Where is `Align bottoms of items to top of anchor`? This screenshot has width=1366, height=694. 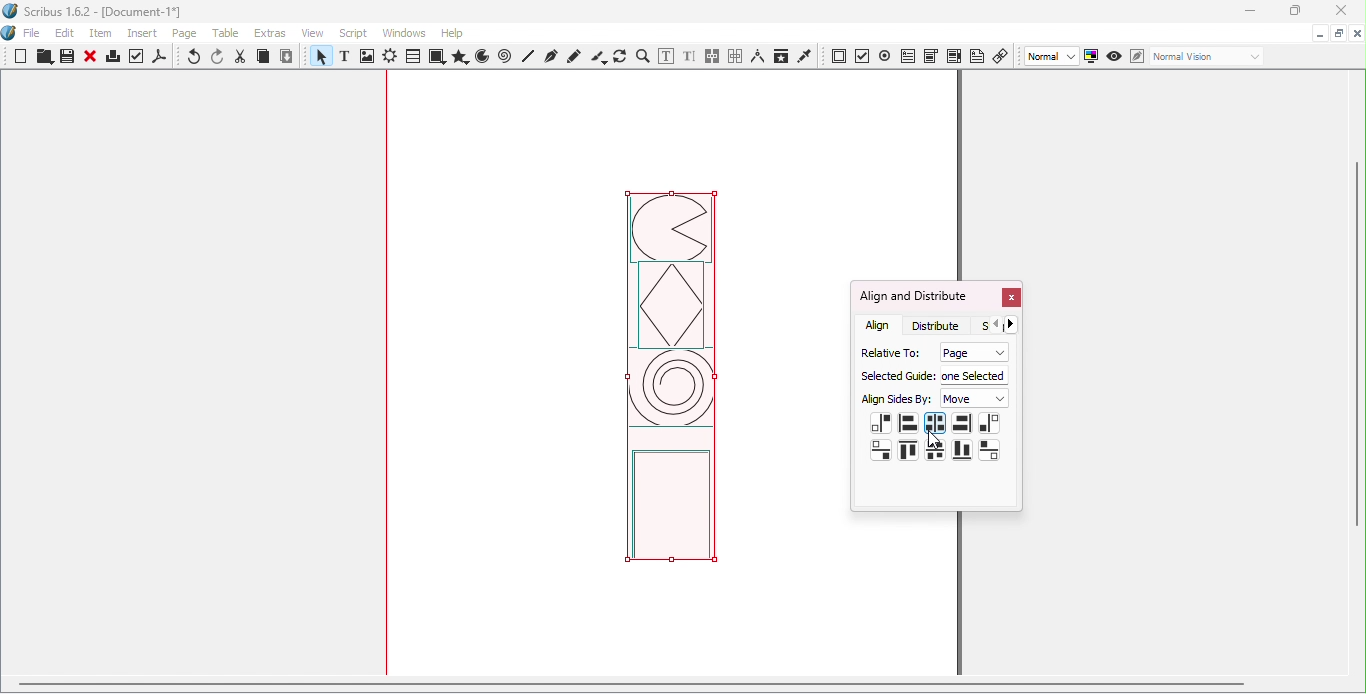 Align bottoms of items to top of anchor is located at coordinates (882, 450).